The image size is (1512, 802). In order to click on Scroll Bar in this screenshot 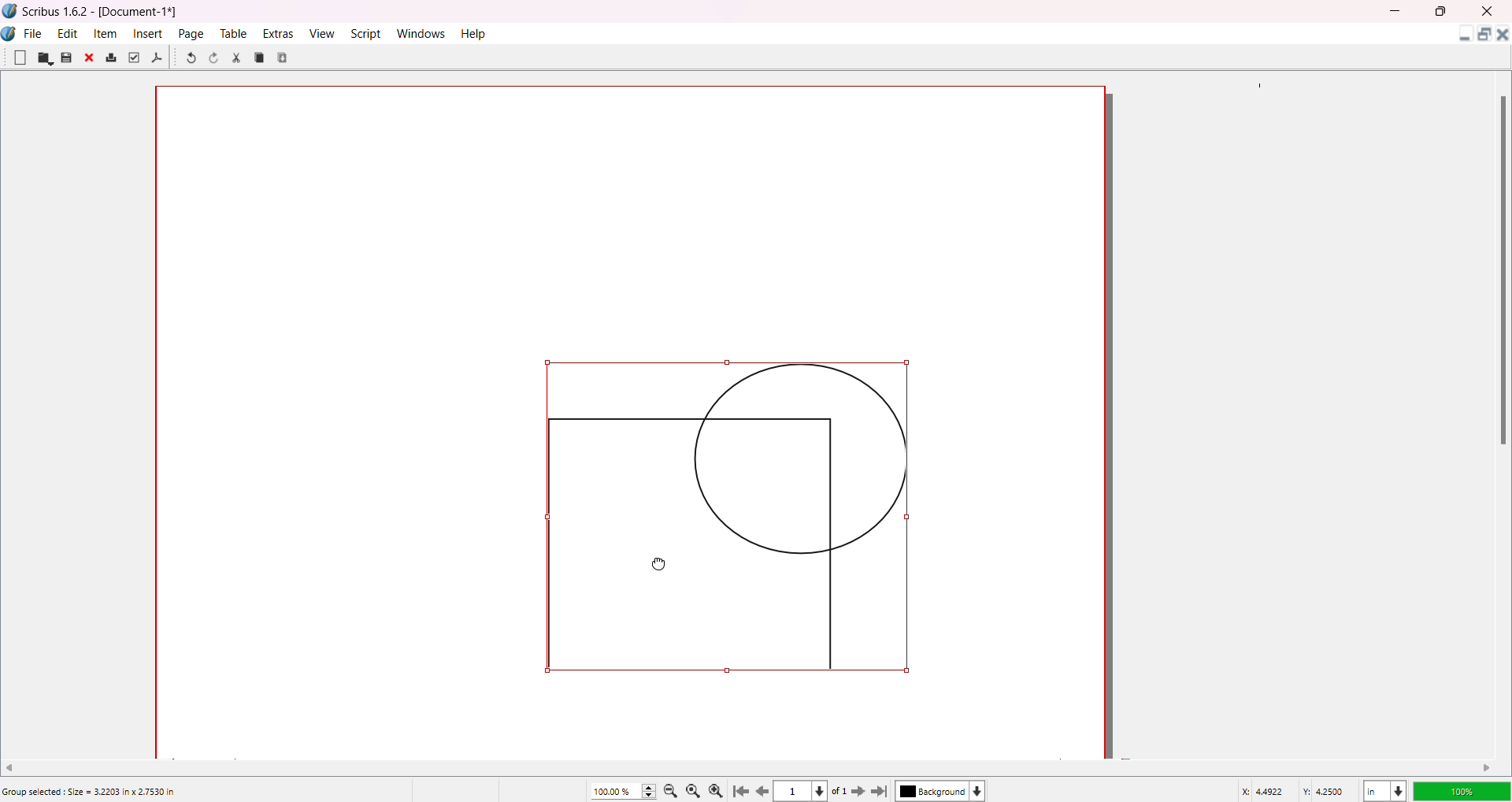, I will do `click(1499, 269)`.